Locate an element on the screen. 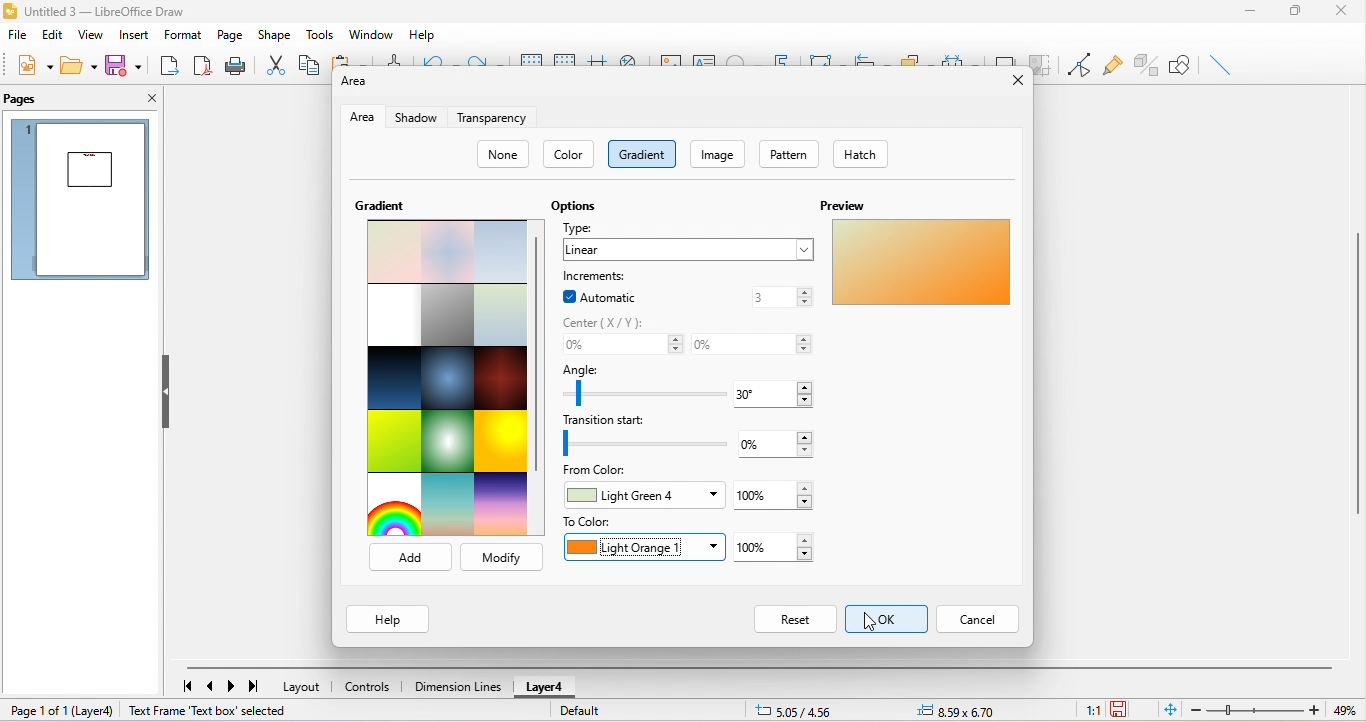  type is located at coordinates (582, 226).